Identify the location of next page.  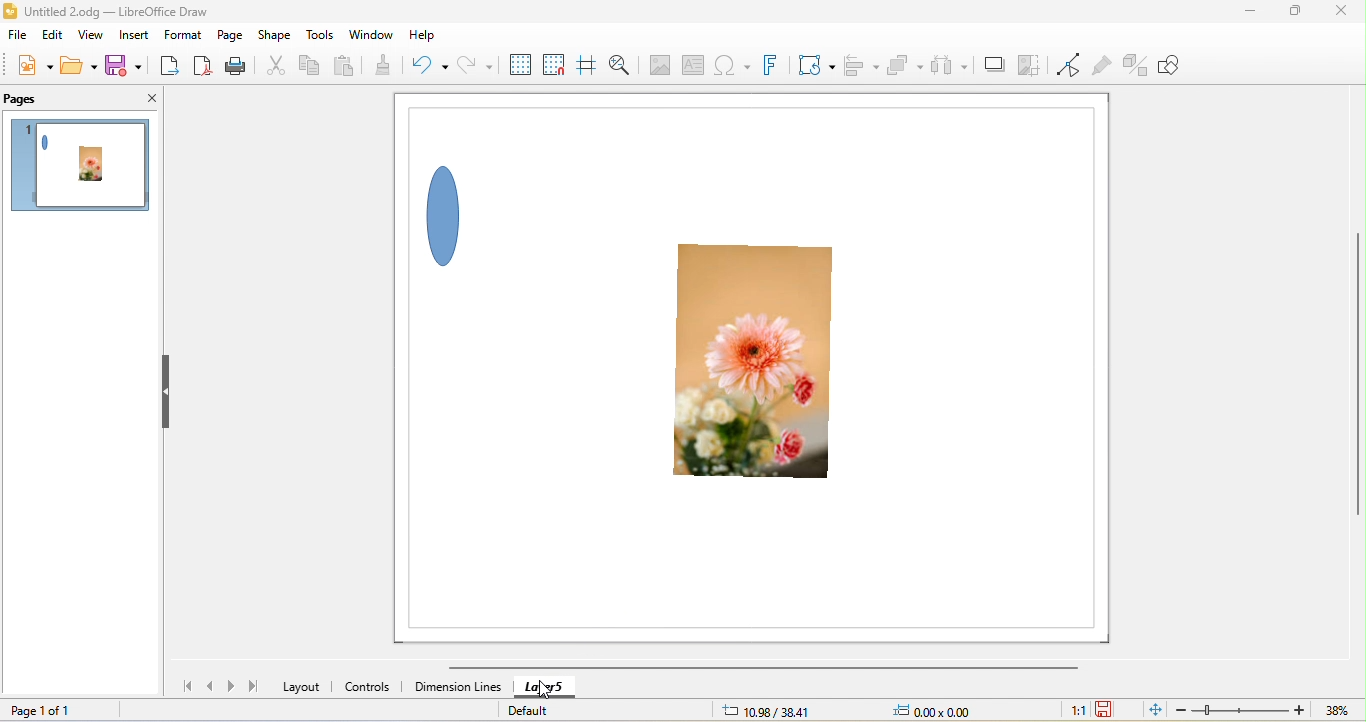
(234, 686).